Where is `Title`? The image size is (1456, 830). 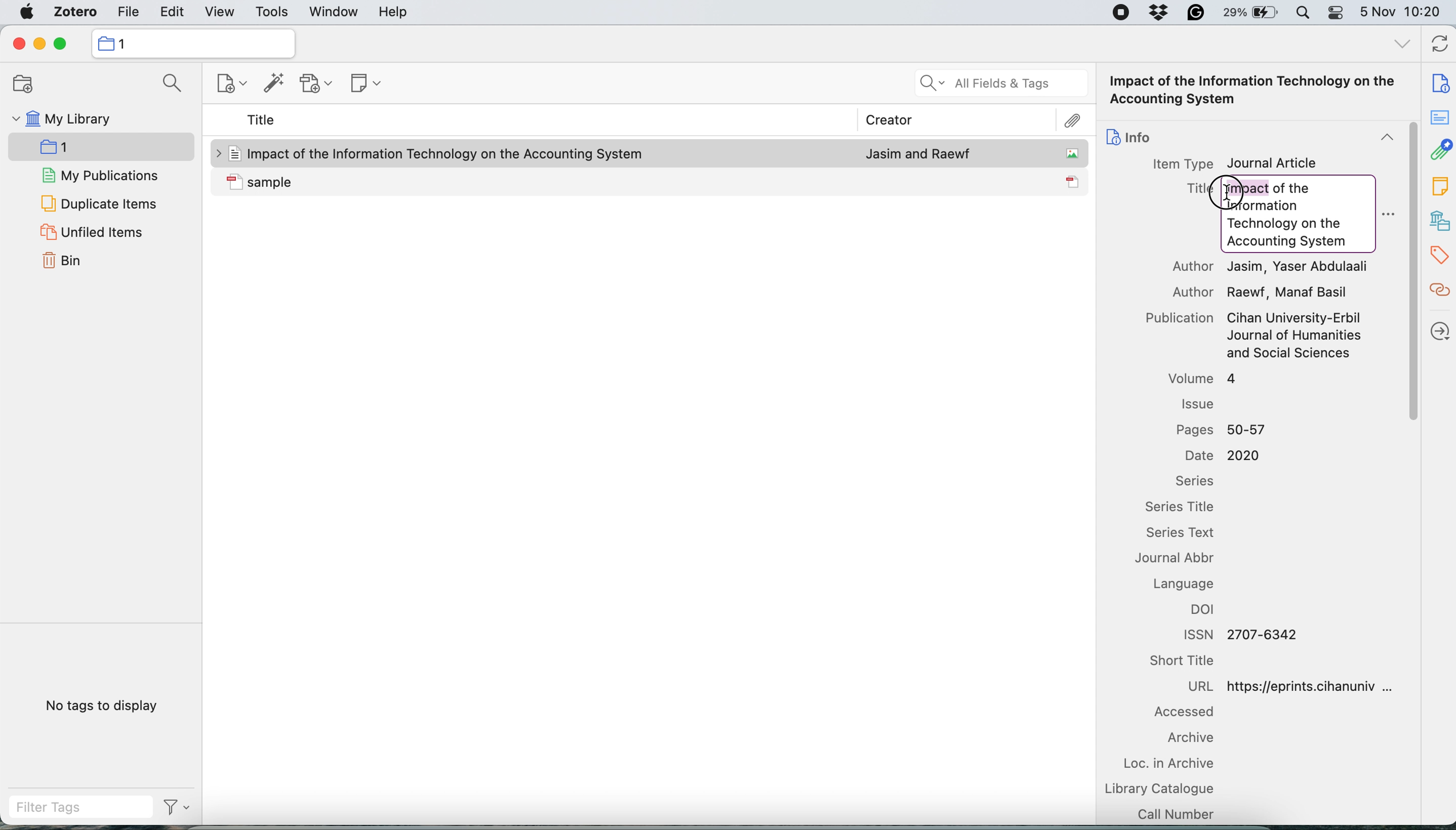
Title is located at coordinates (1201, 189).